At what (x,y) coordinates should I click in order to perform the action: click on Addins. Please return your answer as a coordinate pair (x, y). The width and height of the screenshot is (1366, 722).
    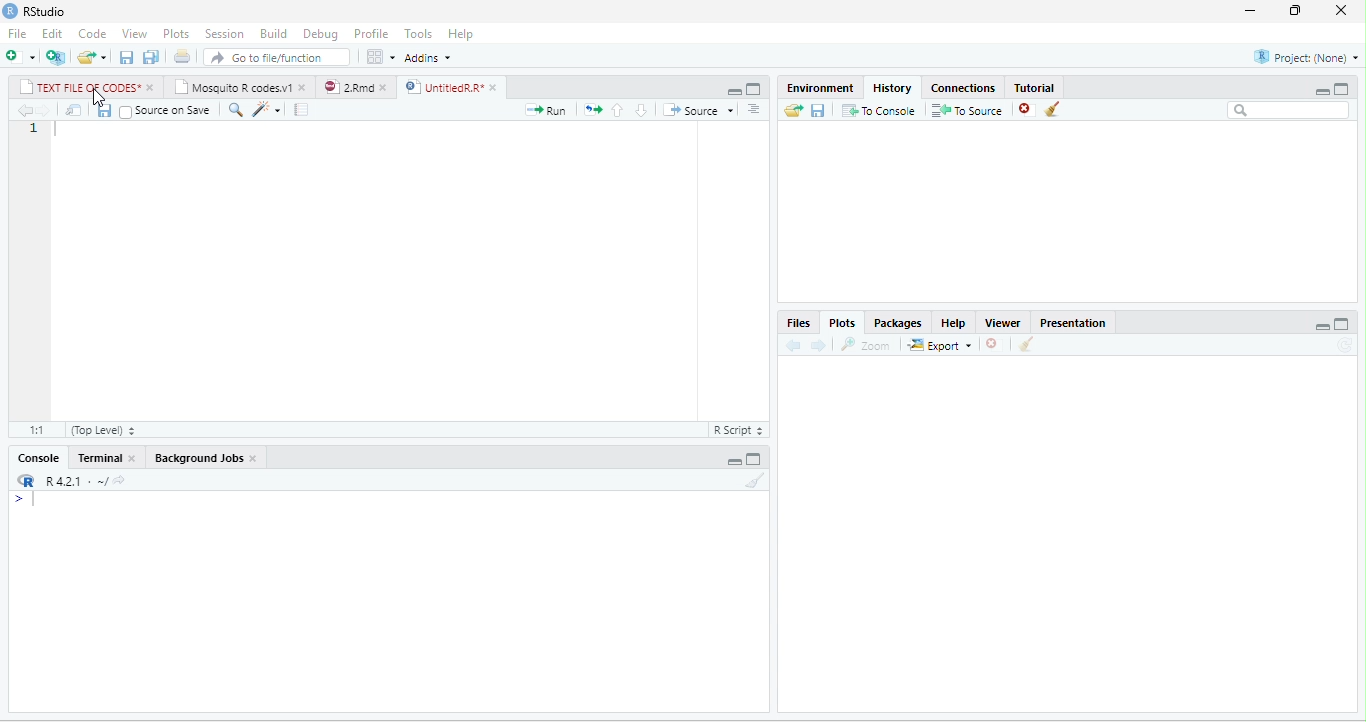
    Looking at the image, I should click on (428, 58).